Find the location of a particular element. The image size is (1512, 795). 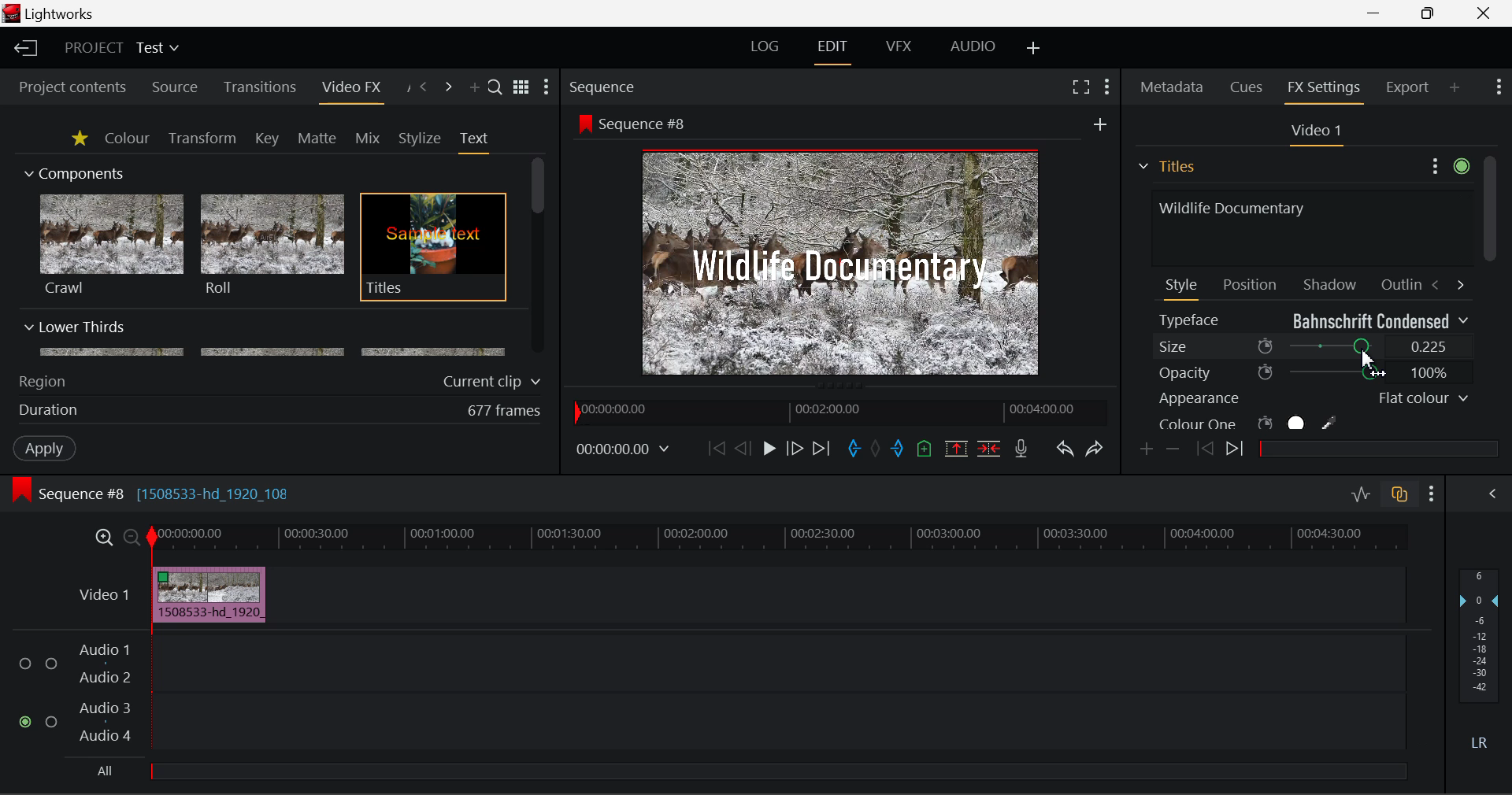

Sequence #8 is located at coordinates (649, 124).